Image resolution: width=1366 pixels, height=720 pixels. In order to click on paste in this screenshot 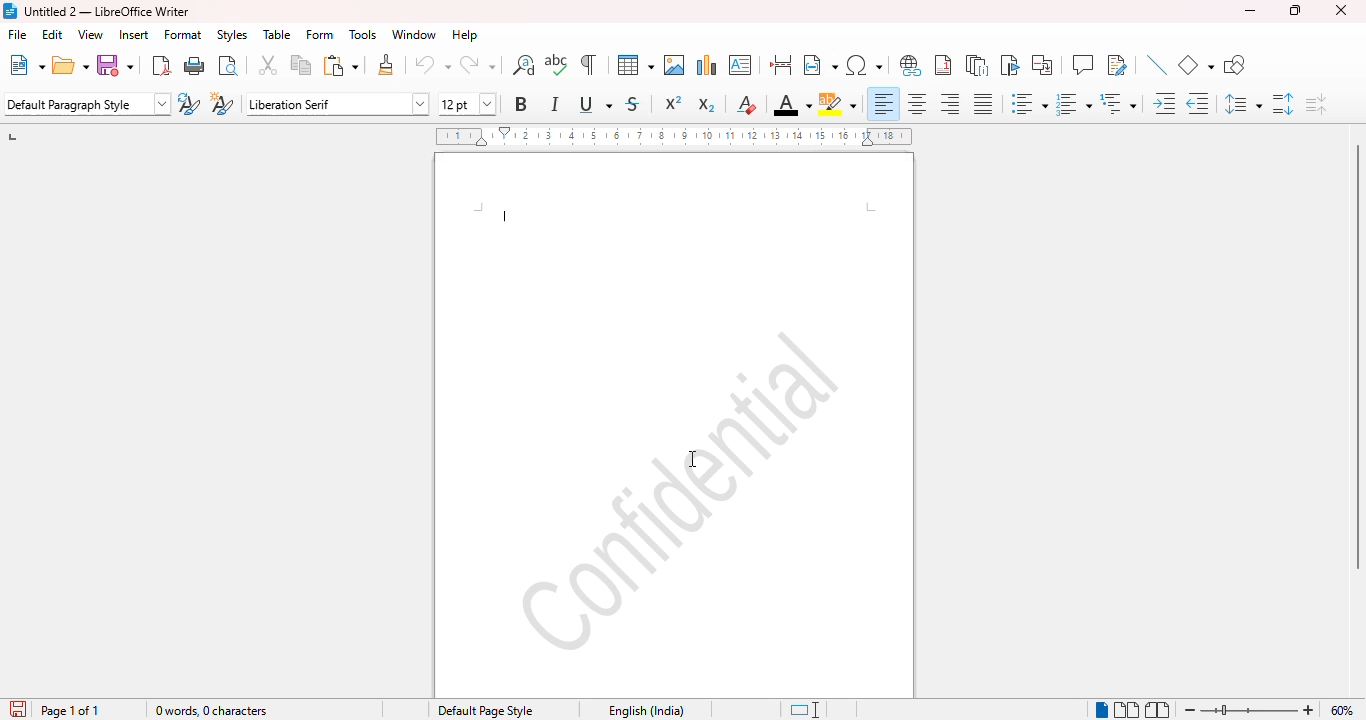, I will do `click(342, 65)`.